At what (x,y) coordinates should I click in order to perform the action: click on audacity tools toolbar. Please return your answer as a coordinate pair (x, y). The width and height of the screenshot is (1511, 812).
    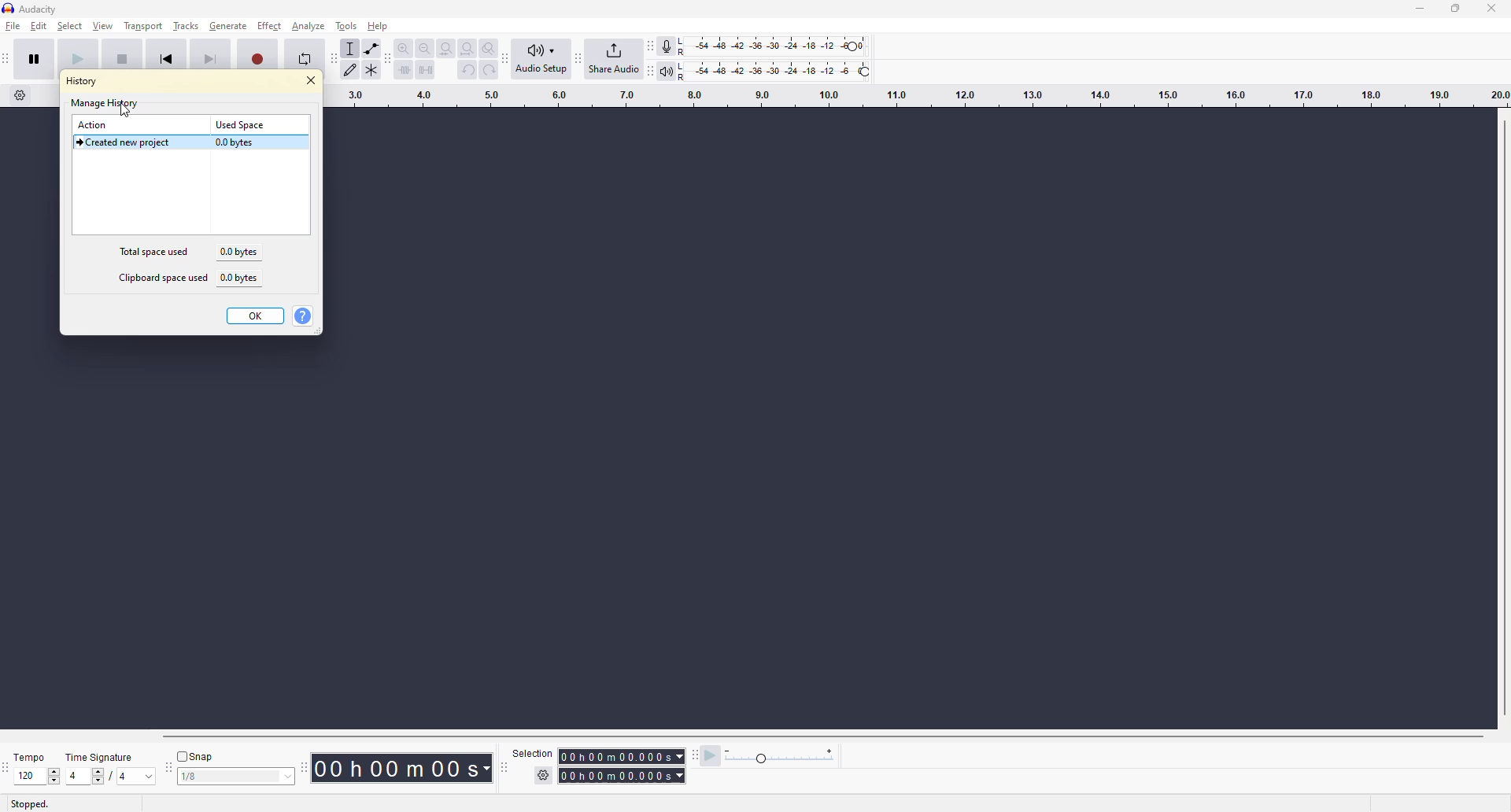
    Looking at the image, I should click on (303, 769).